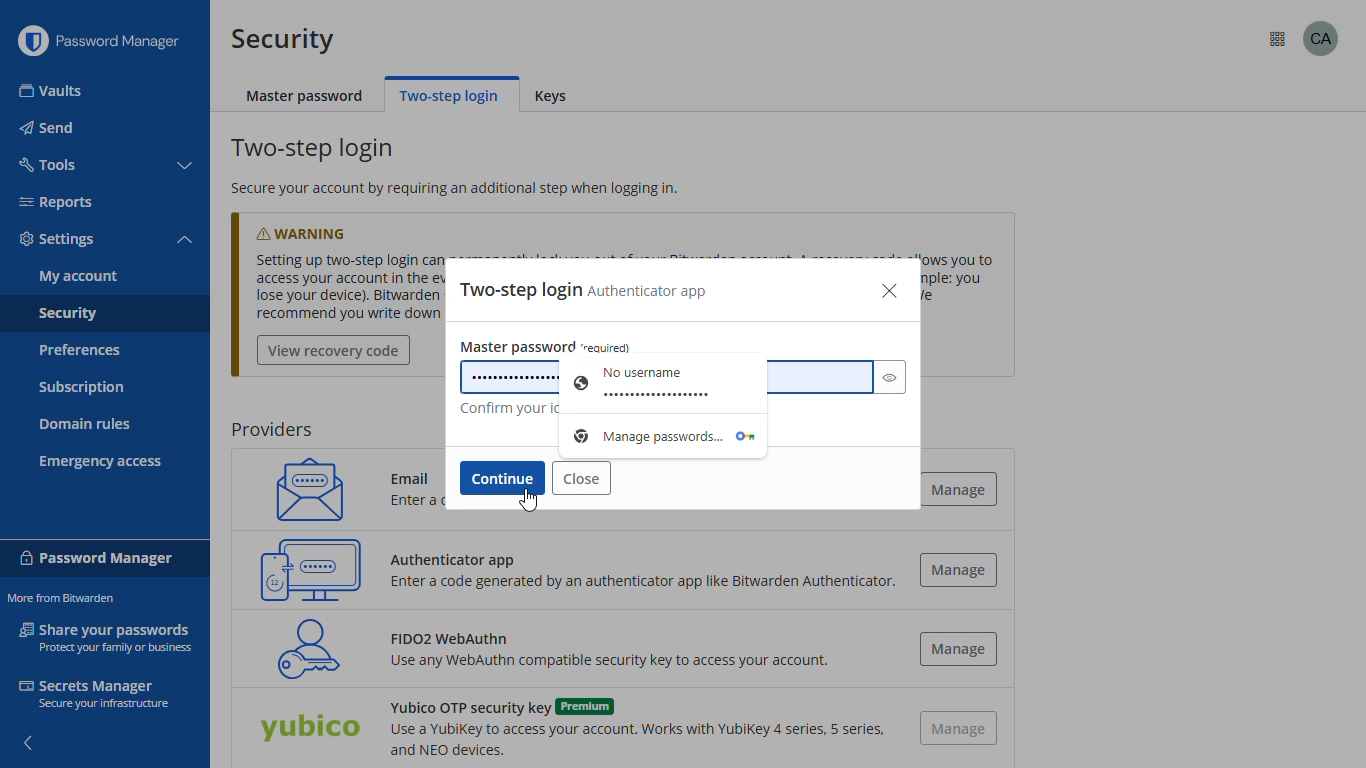 The height and width of the screenshot is (768, 1366). I want to click on tools, so click(46, 163).